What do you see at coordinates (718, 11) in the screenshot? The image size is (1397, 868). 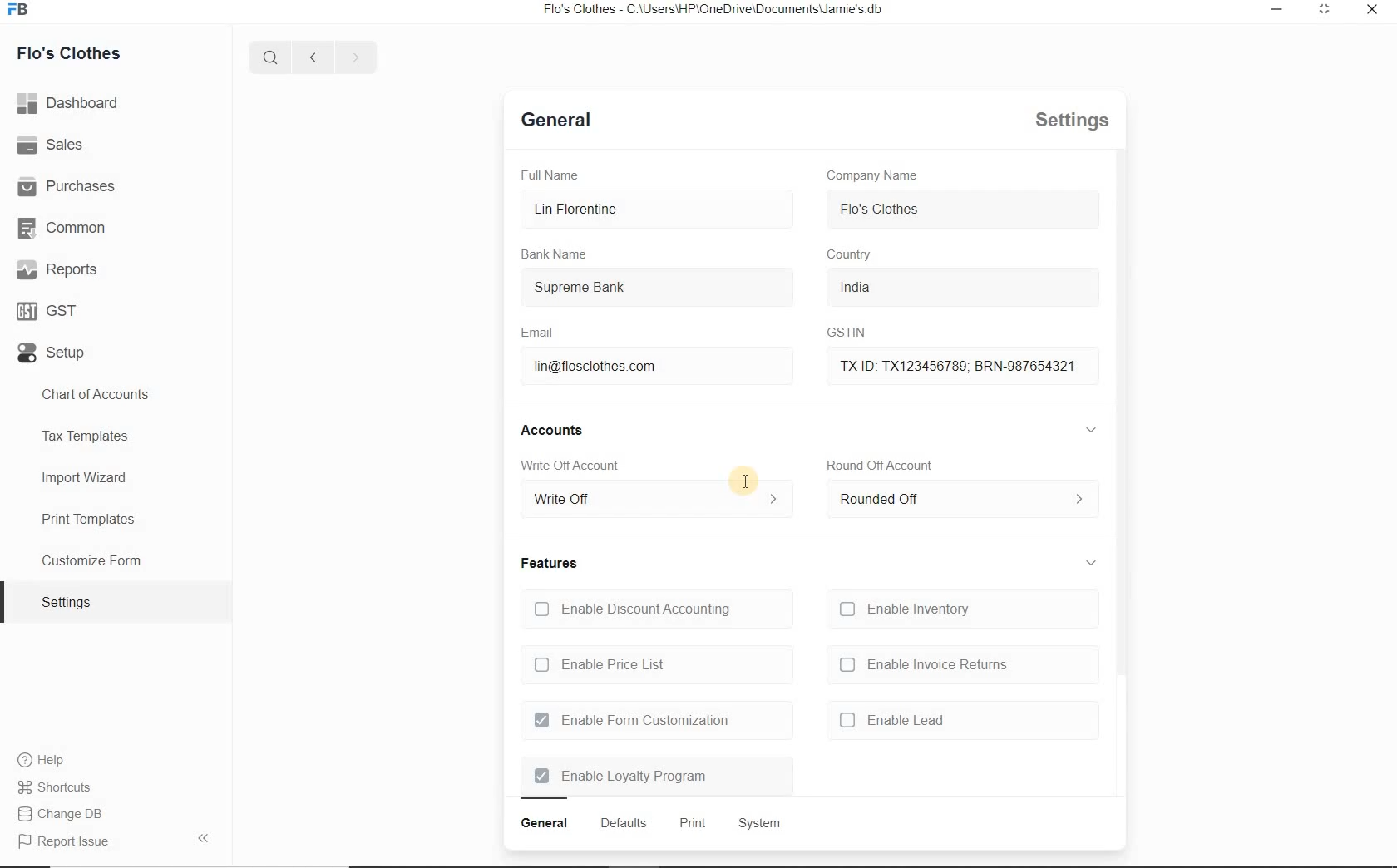 I see `Flo's Clothes - C:\Users\HP\OneDrive\Documents\Jamie's.db` at bounding box center [718, 11].